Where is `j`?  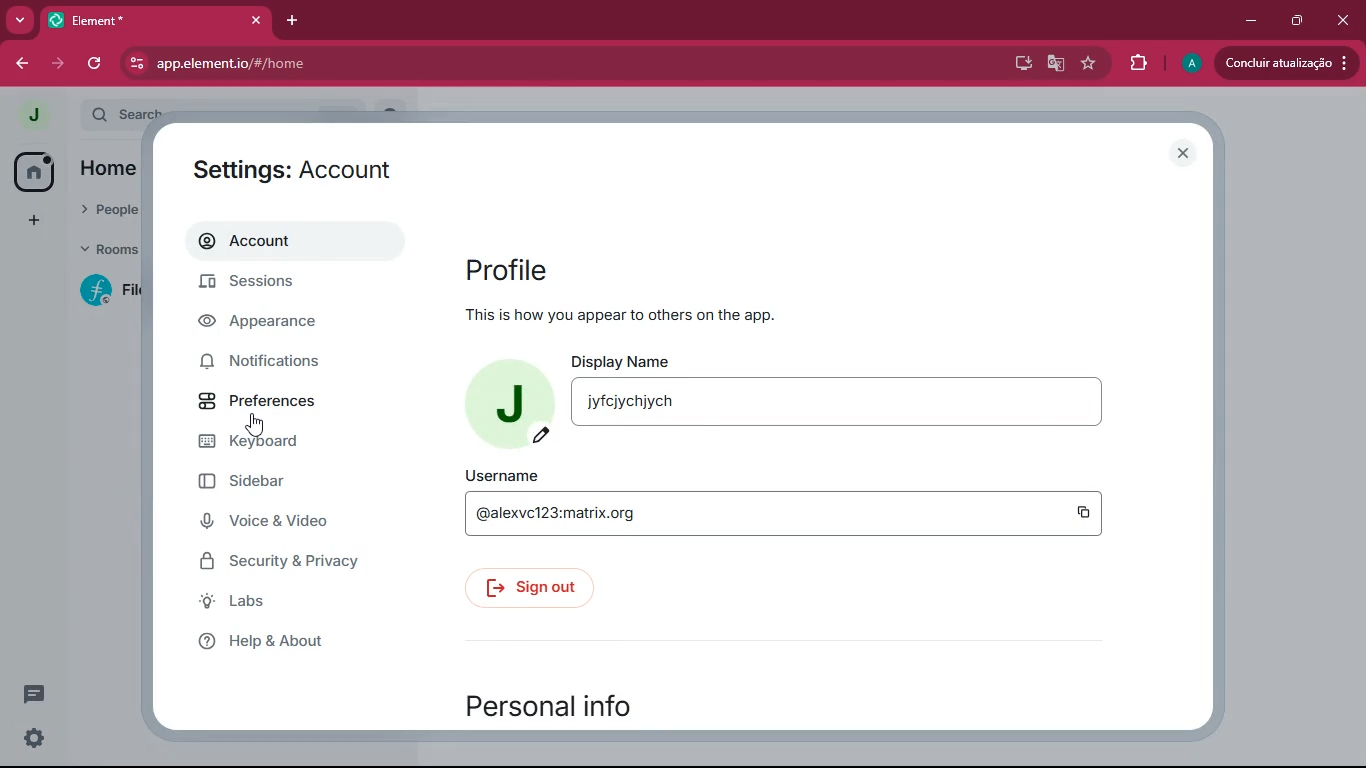 j is located at coordinates (24, 115).